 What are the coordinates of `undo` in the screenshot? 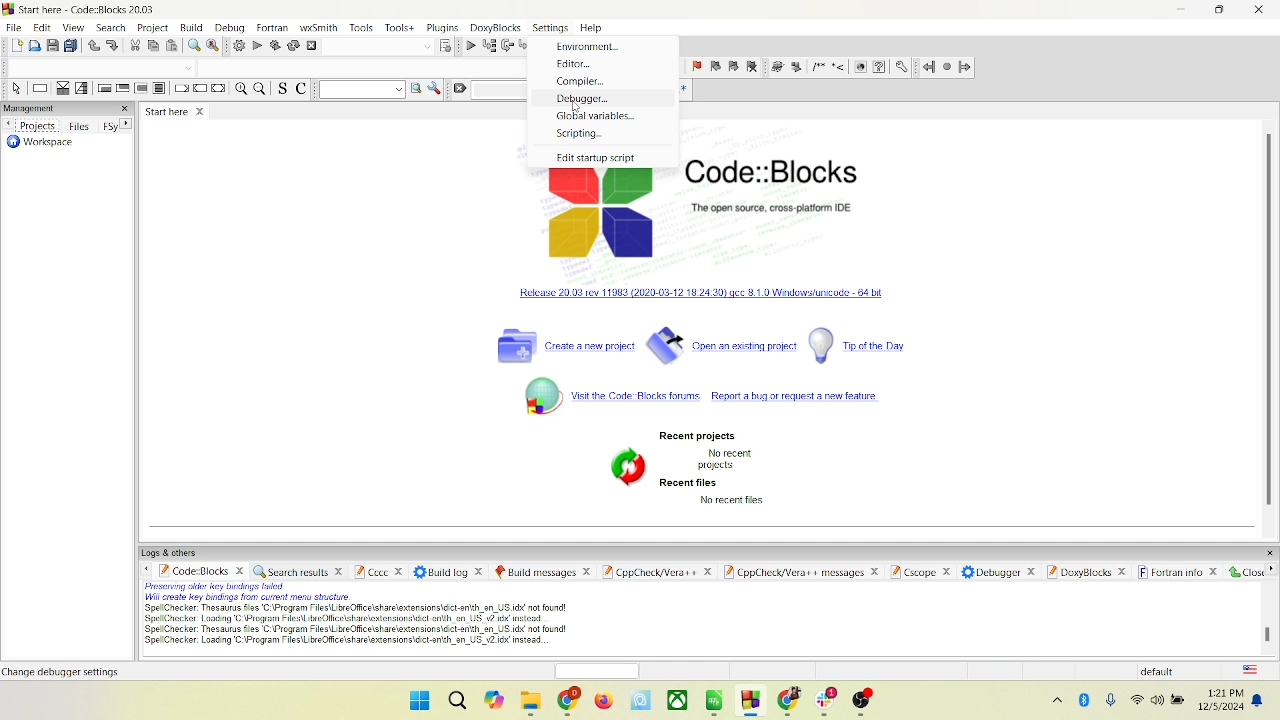 It's located at (93, 46).